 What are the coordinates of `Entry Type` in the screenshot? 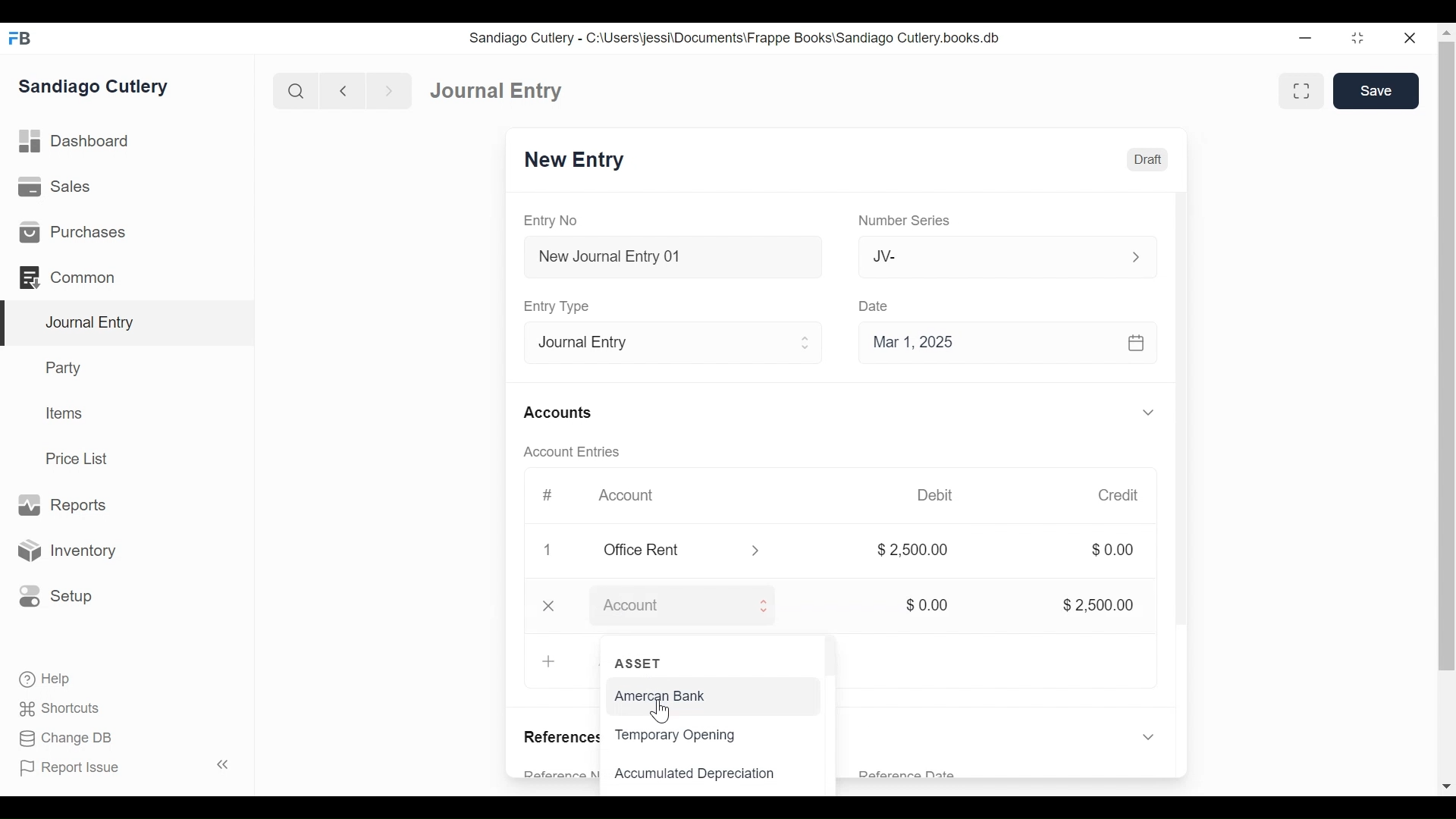 It's located at (566, 306).